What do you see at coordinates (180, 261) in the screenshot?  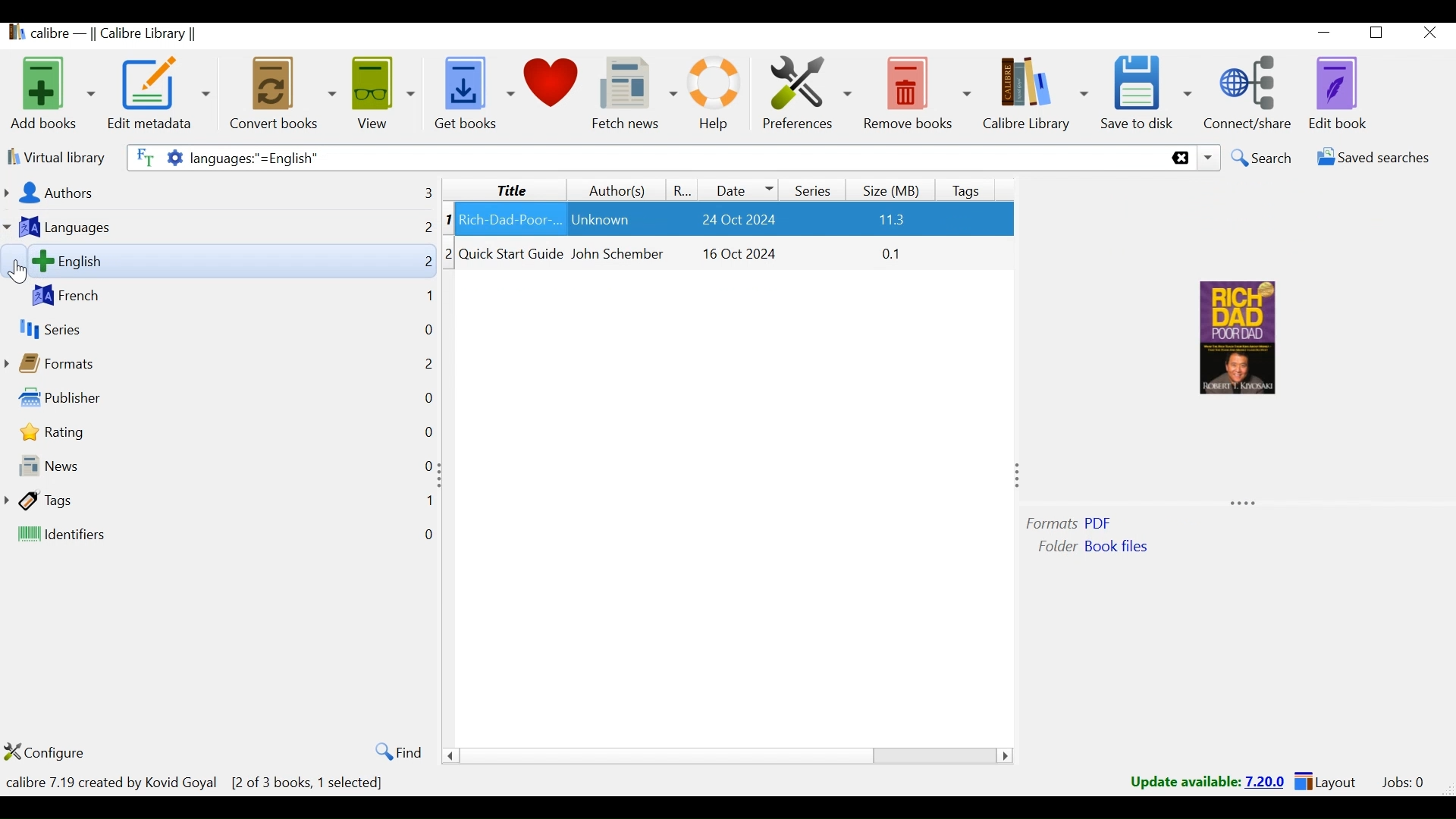 I see `English` at bounding box center [180, 261].